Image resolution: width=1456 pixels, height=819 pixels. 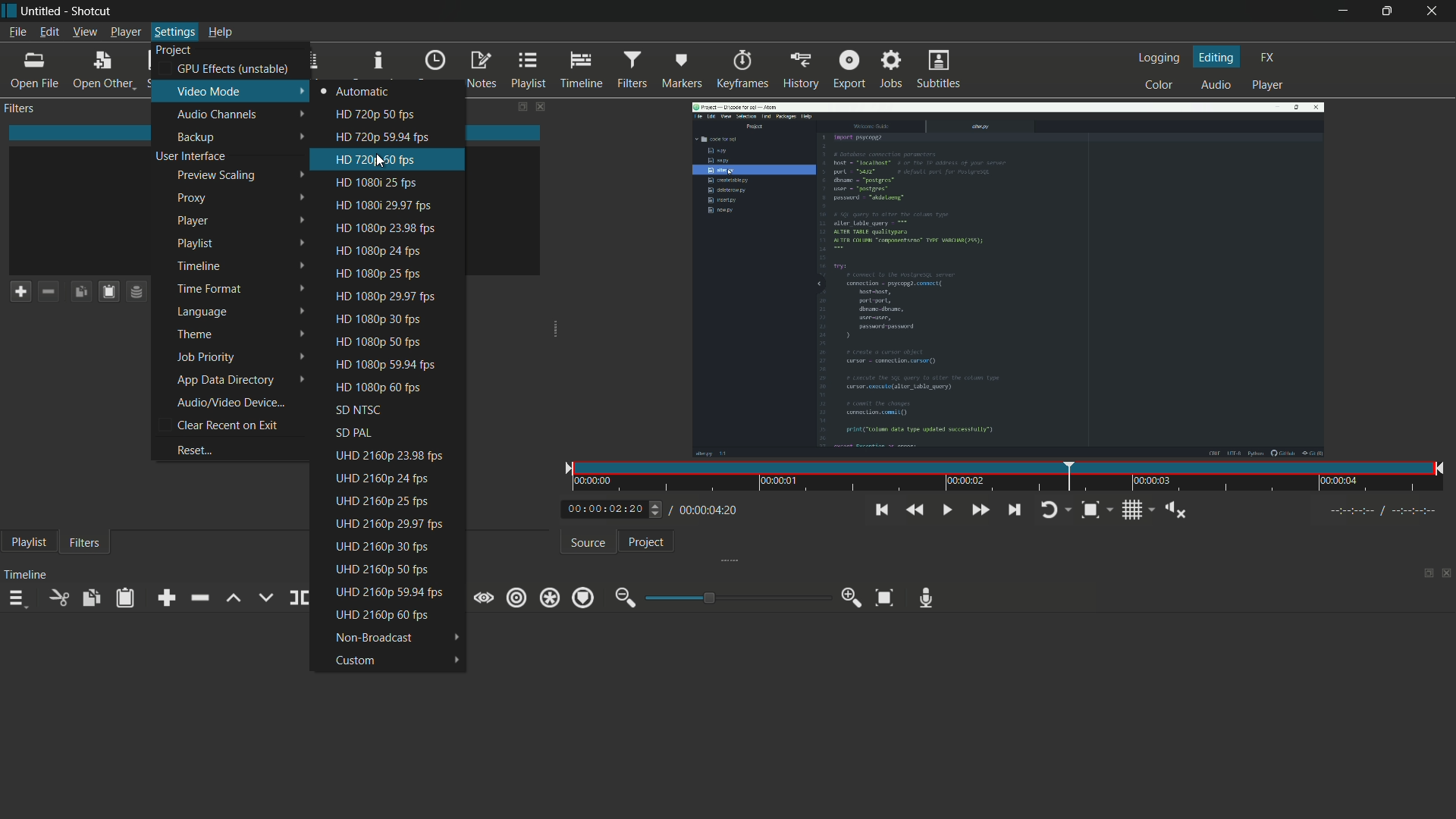 I want to click on total time, so click(x=707, y=510).